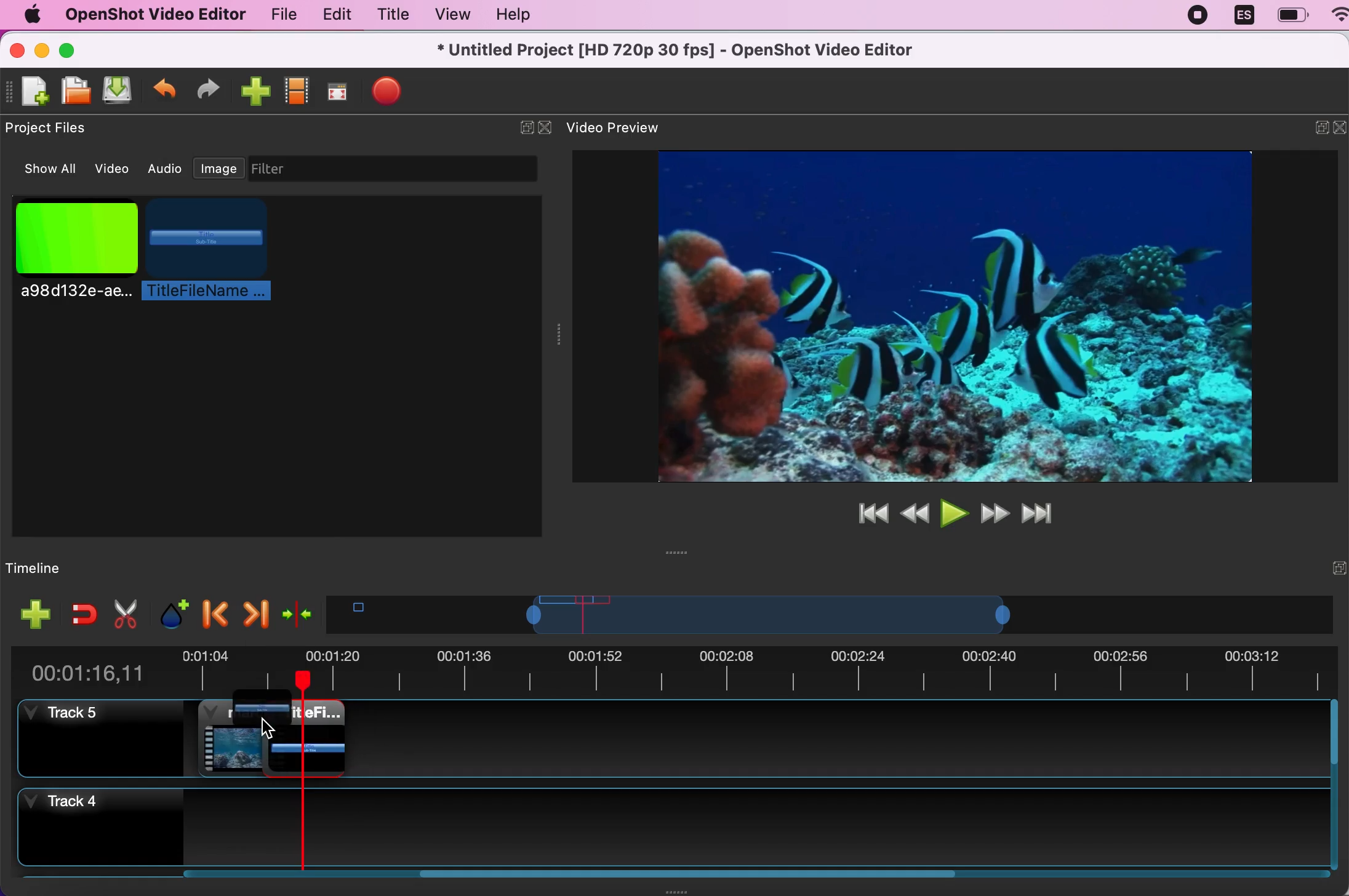 The width and height of the screenshot is (1349, 896). What do you see at coordinates (255, 610) in the screenshot?
I see `next marker` at bounding box center [255, 610].